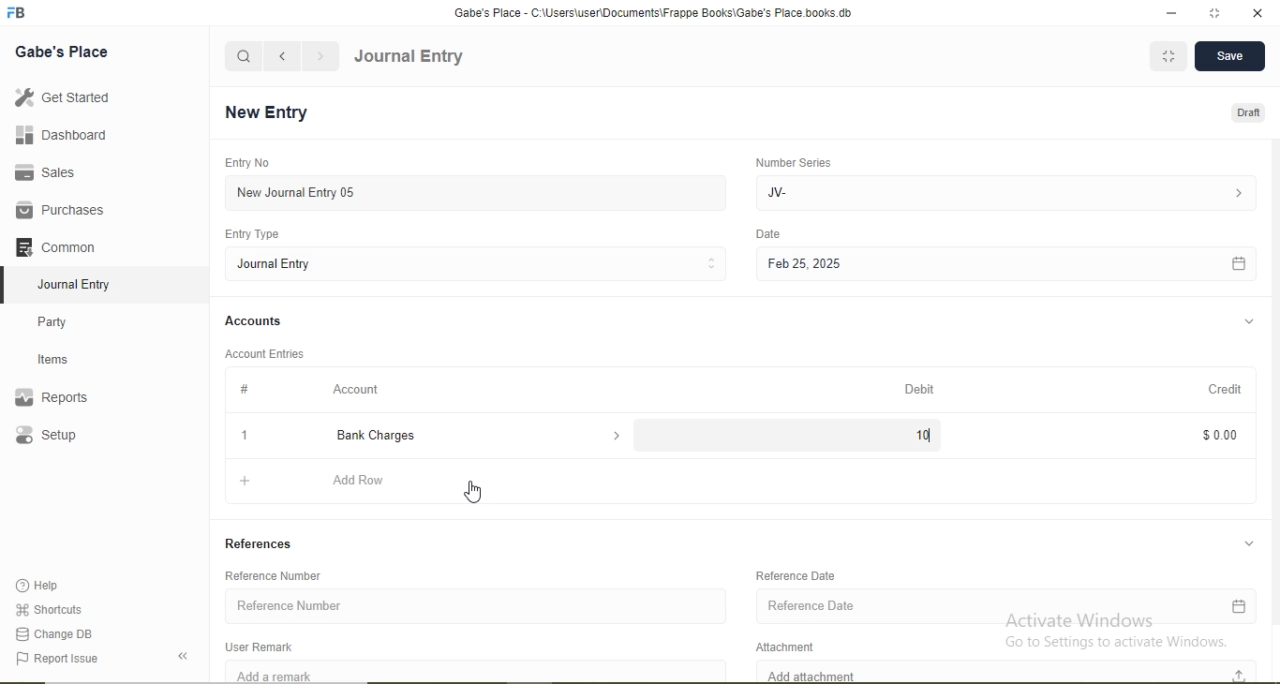 This screenshot has height=684, width=1280. What do you see at coordinates (1166, 56) in the screenshot?
I see `MINIMIZE WINDOW` at bounding box center [1166, 56].